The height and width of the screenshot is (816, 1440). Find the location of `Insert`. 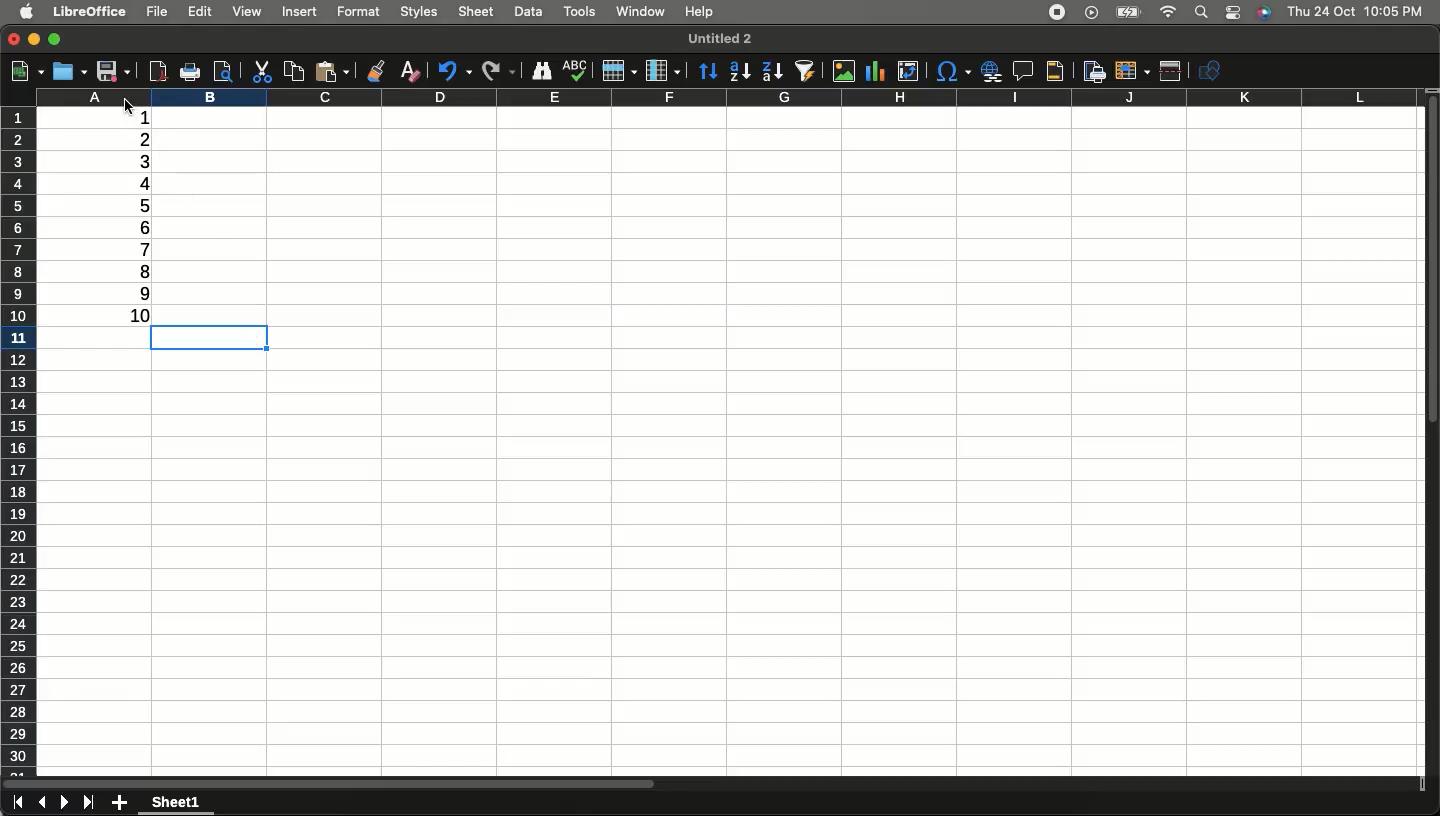

Insert is located at coordinates (302, 14).